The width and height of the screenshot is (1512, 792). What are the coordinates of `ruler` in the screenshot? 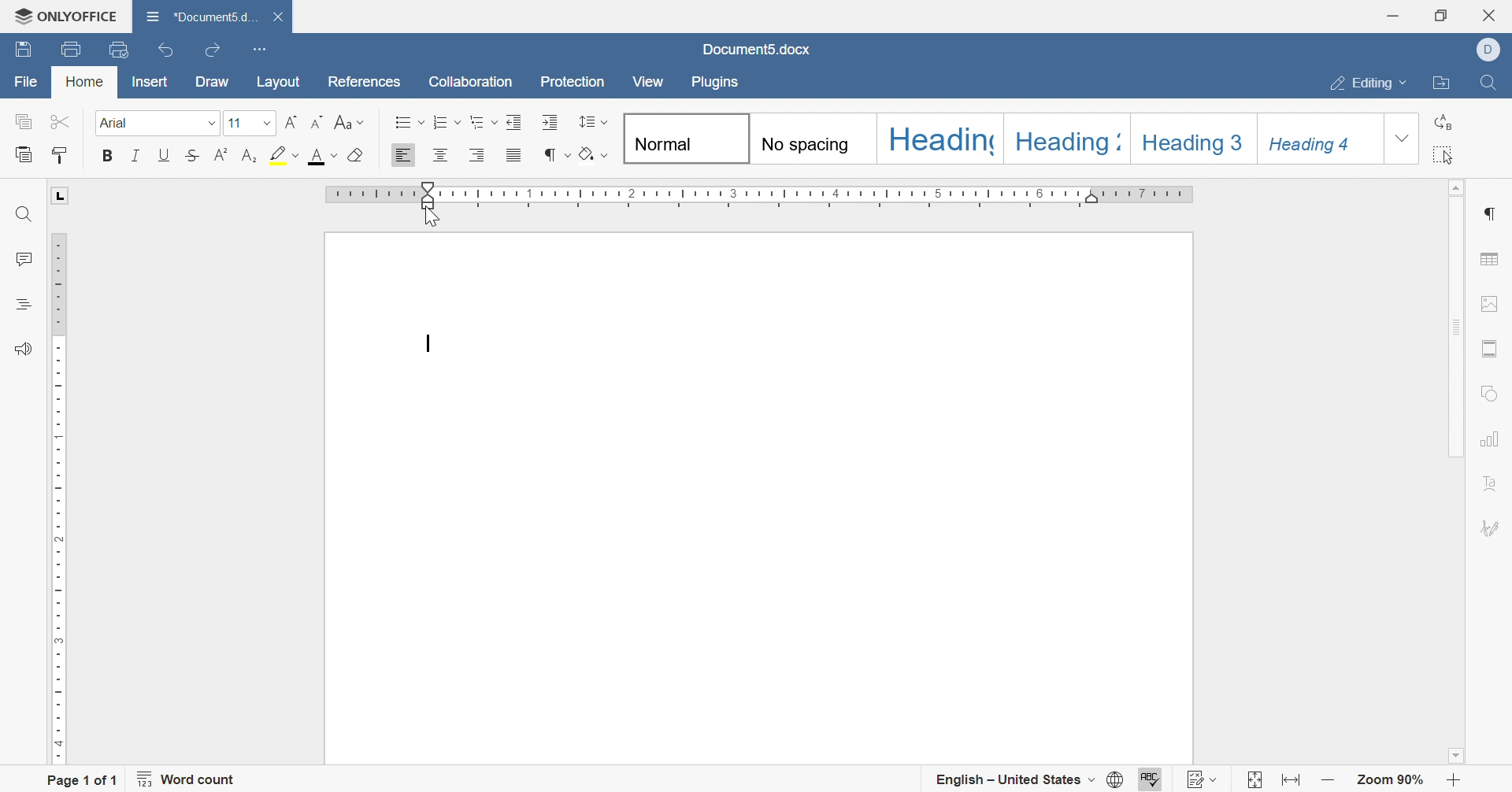 It's located at (758, 197).